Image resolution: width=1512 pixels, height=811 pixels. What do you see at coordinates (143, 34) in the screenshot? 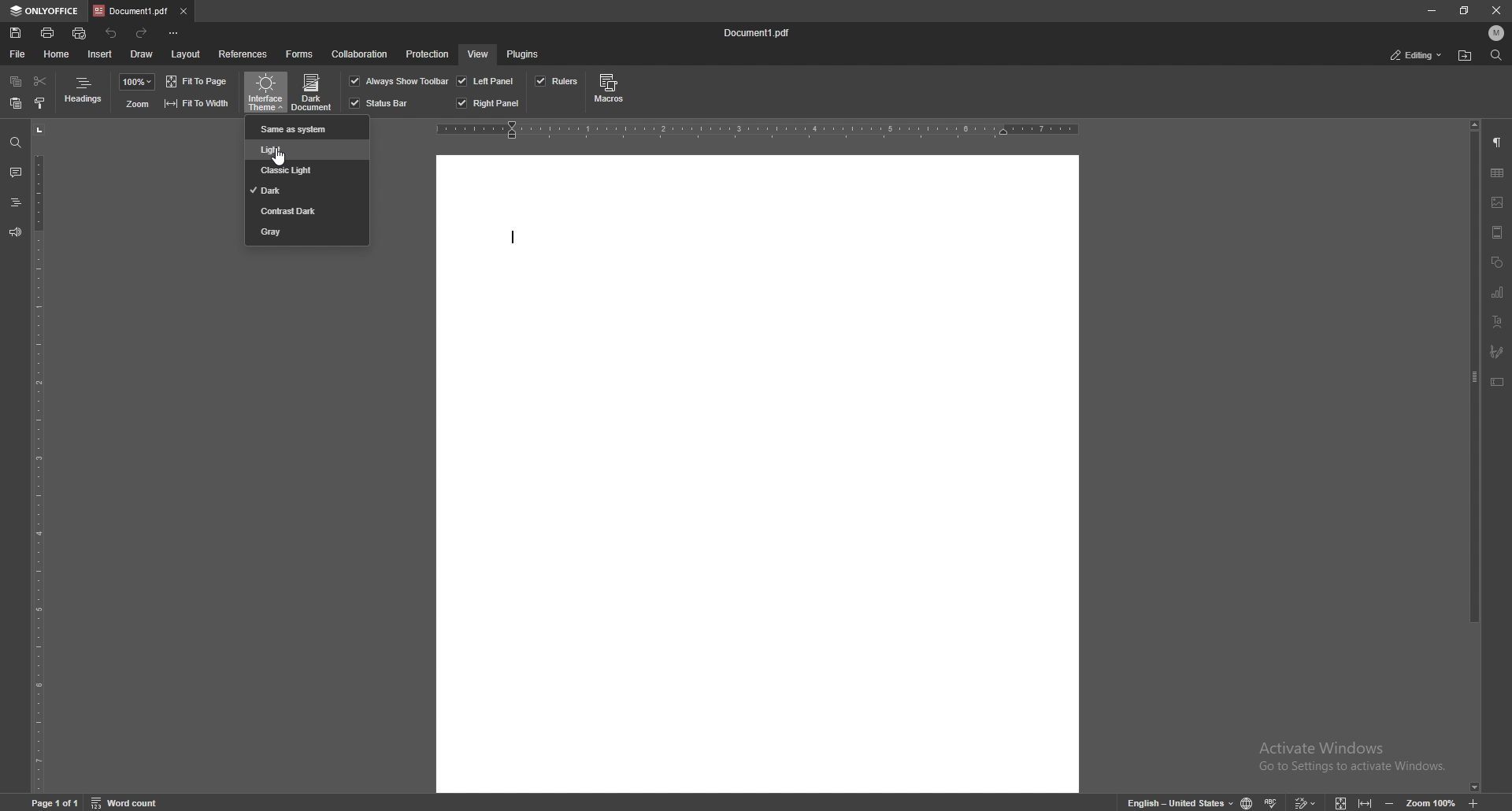
I see `redo` at bounding box center [143, 34].